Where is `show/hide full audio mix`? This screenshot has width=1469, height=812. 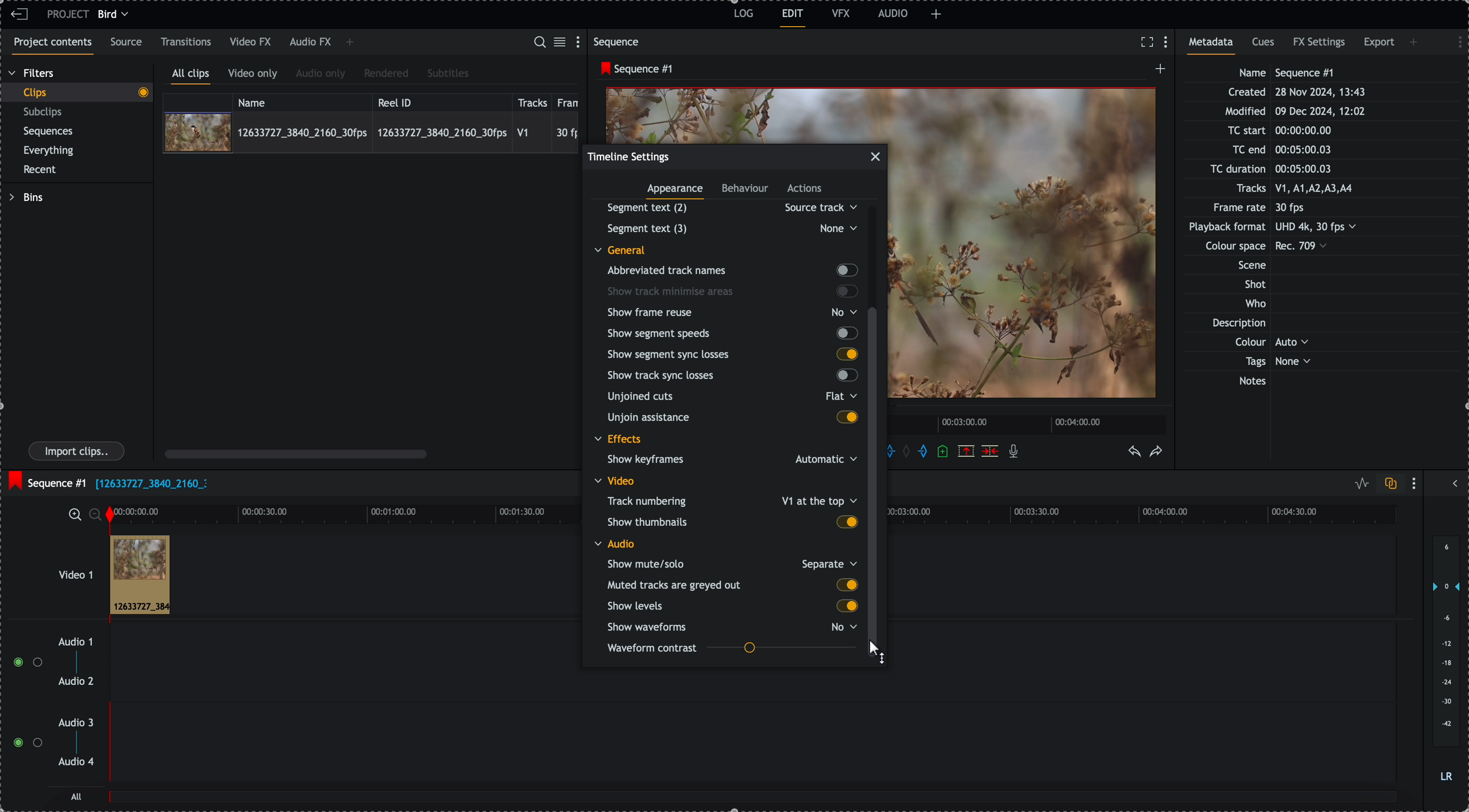 show/hide full audio mix is located at coordinates (1454, 482).